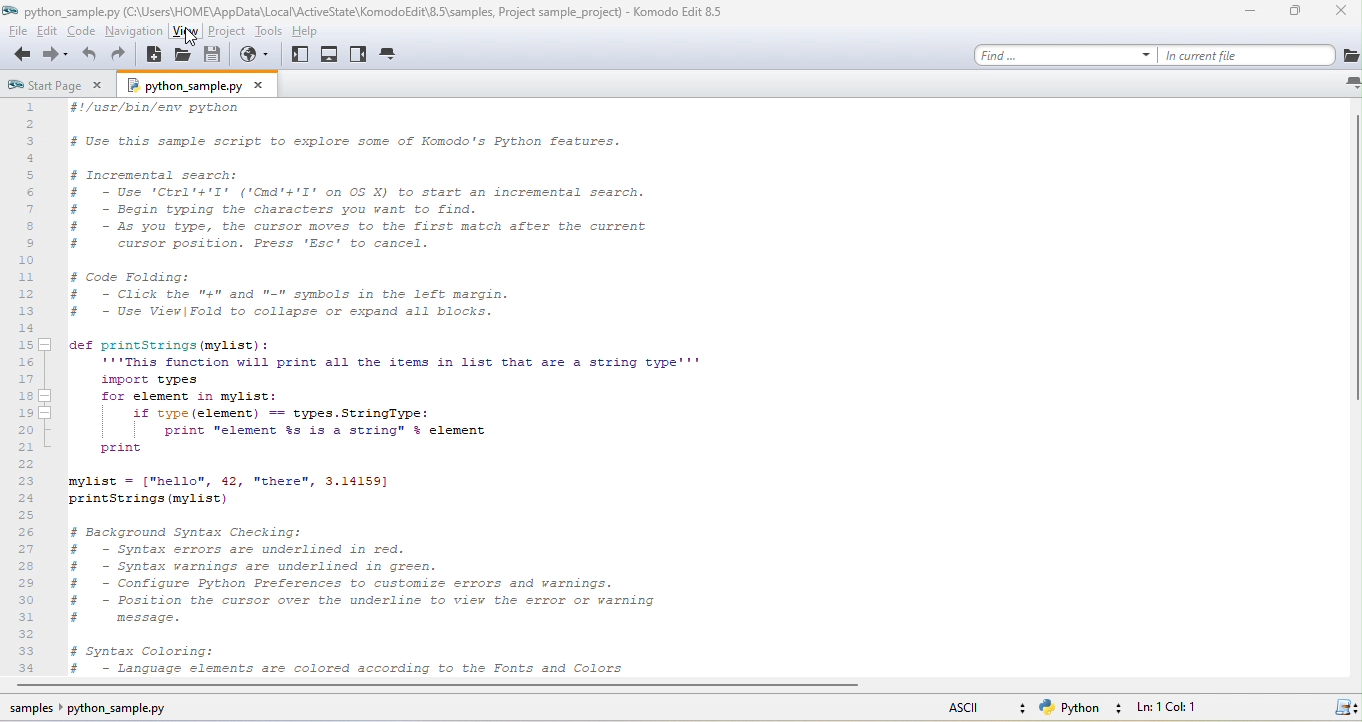 This screenshot has width=1362, height=722. Describe the element at coordinates (20, 57) in the screenshot. I see `back` at that location.